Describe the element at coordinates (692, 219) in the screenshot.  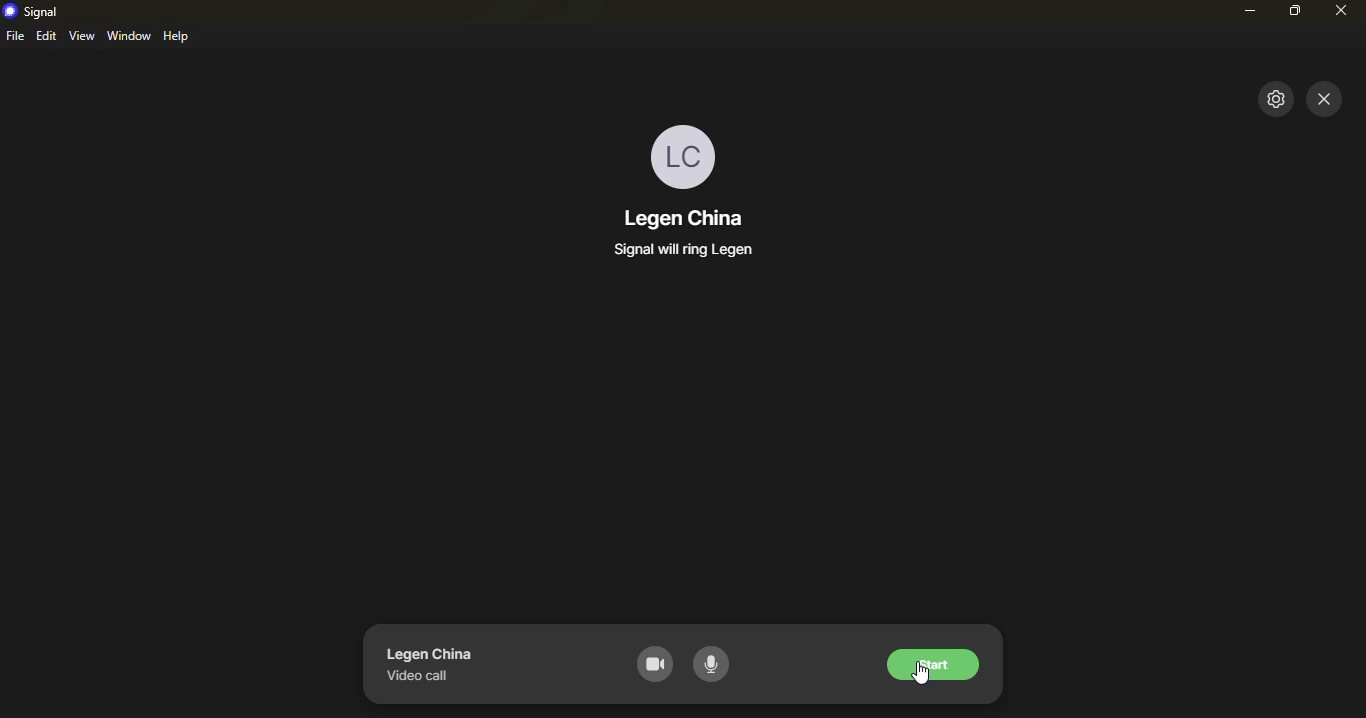
I see `Legen China` at that location.